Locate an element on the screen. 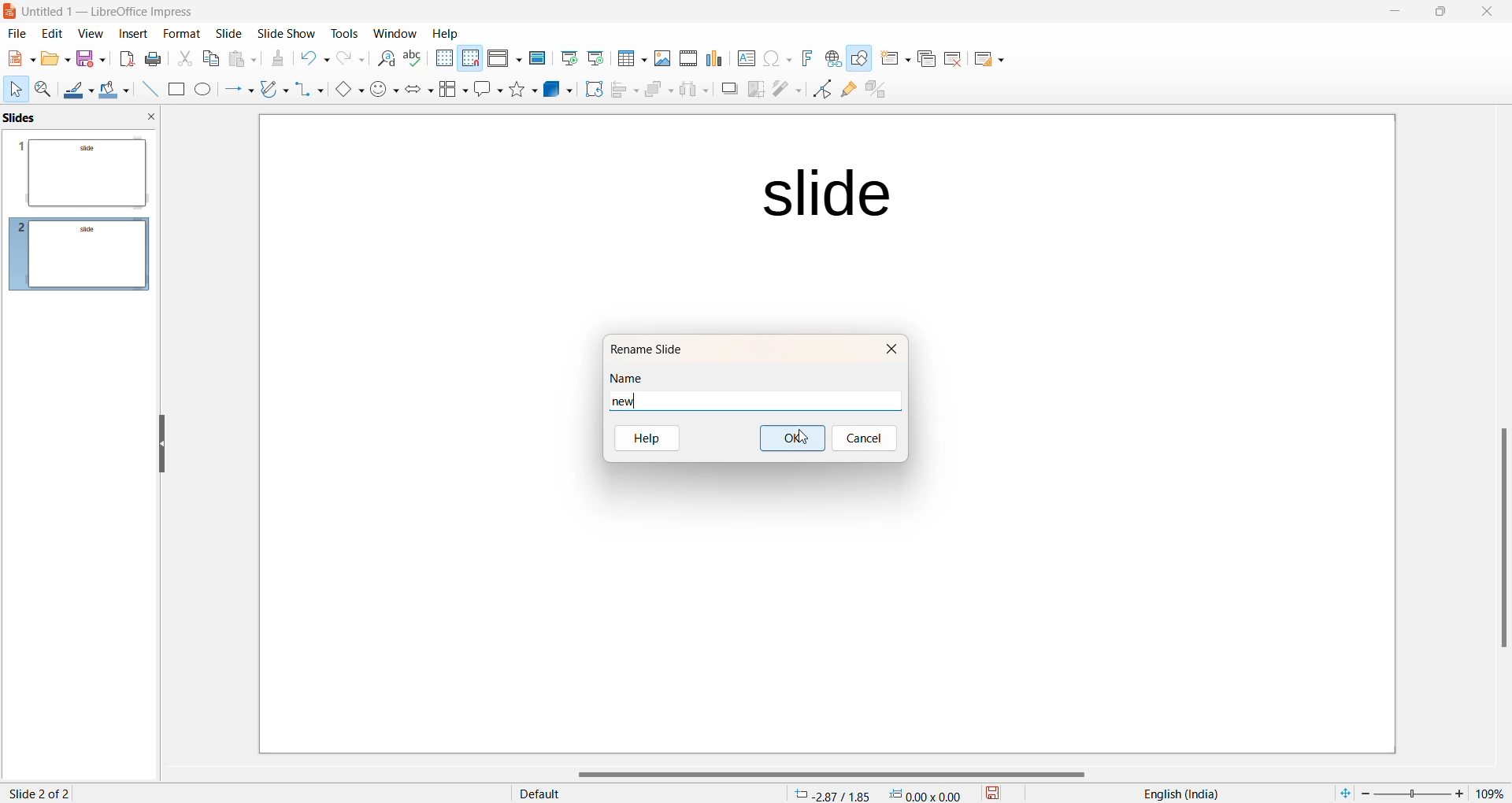  Shapes is located at coordinates (521, 90).